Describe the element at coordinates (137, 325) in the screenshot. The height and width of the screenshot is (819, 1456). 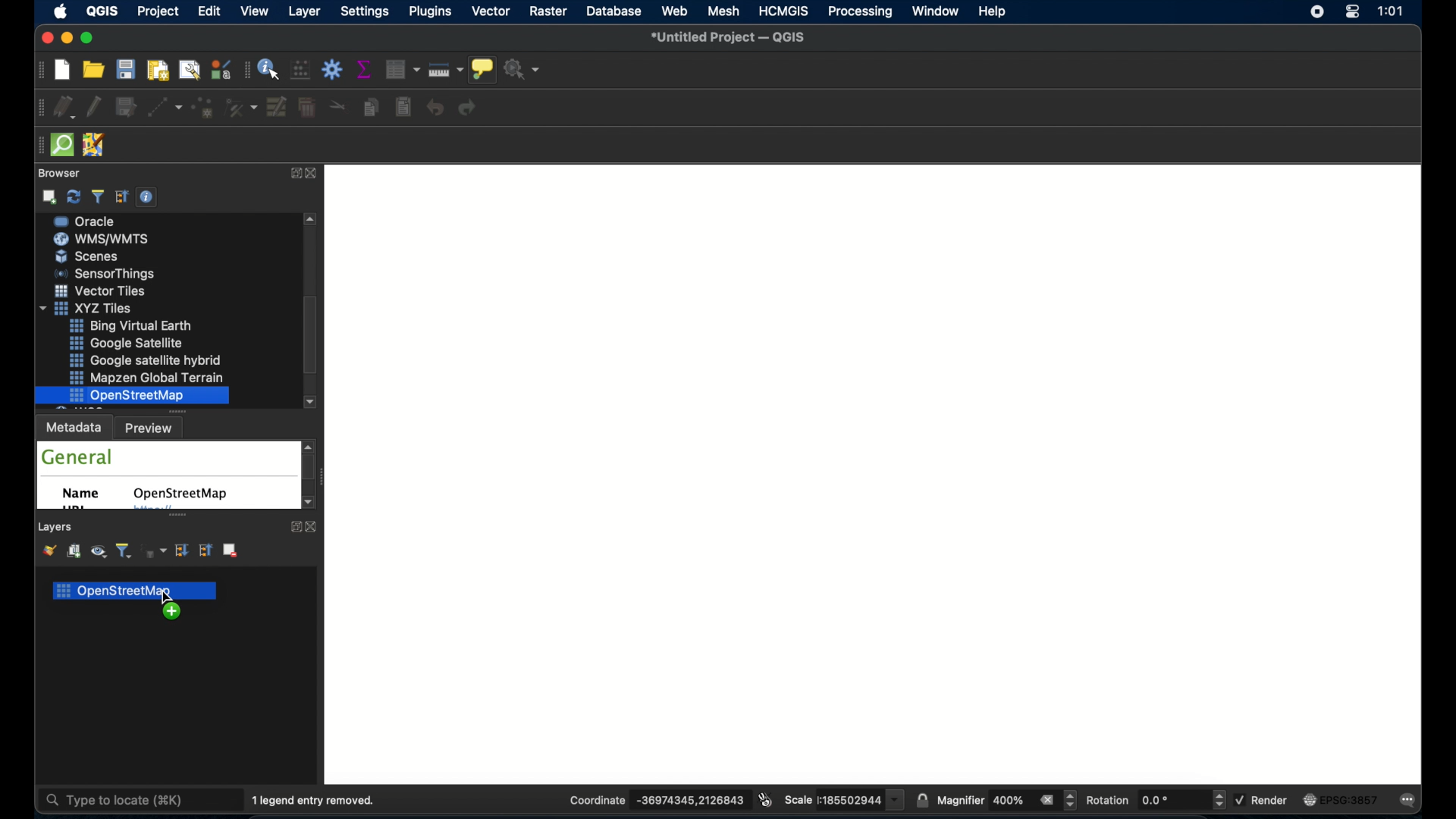
I see `sensor things` at that location.